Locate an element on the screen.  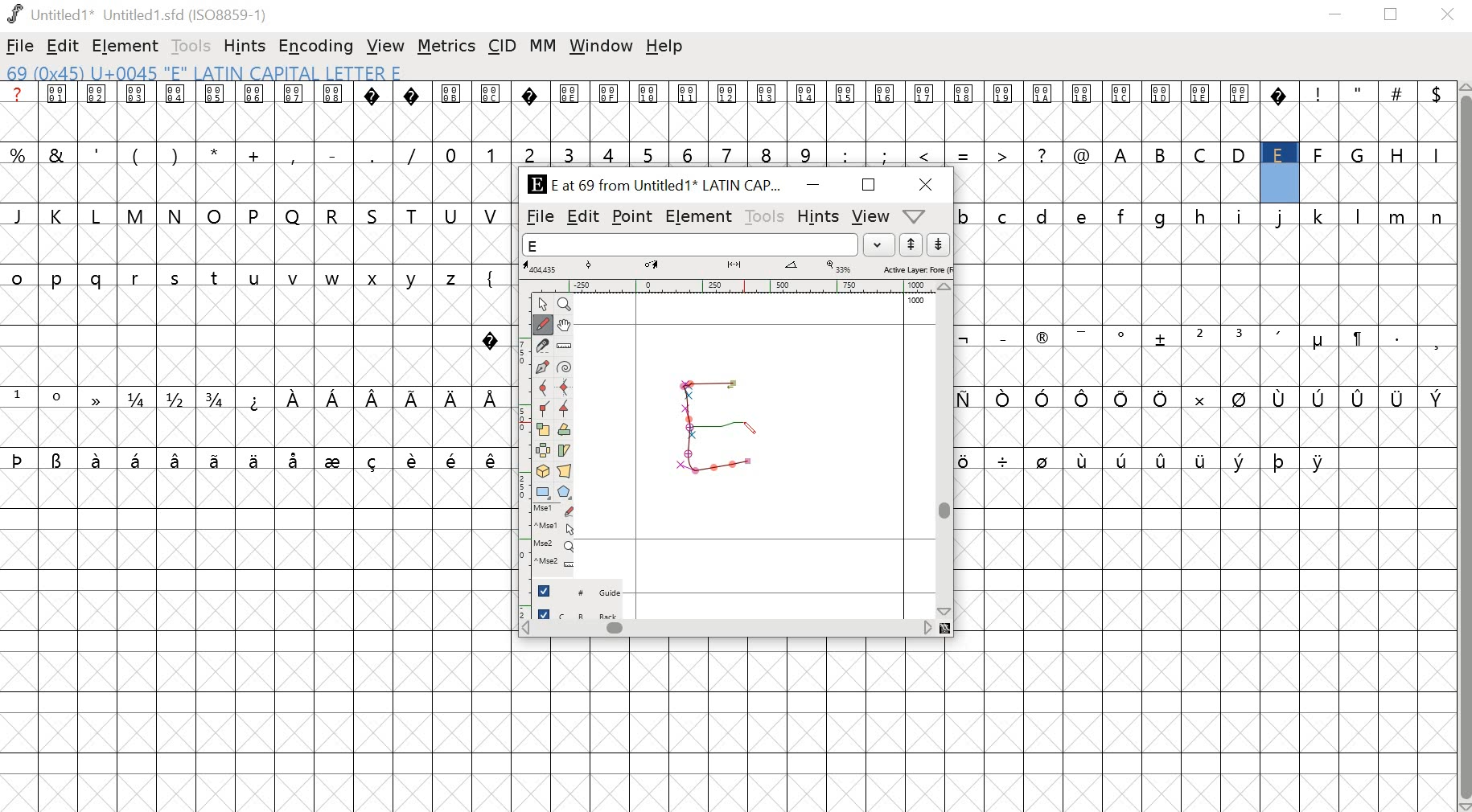
Perspective is located at coordinates (566, 473).